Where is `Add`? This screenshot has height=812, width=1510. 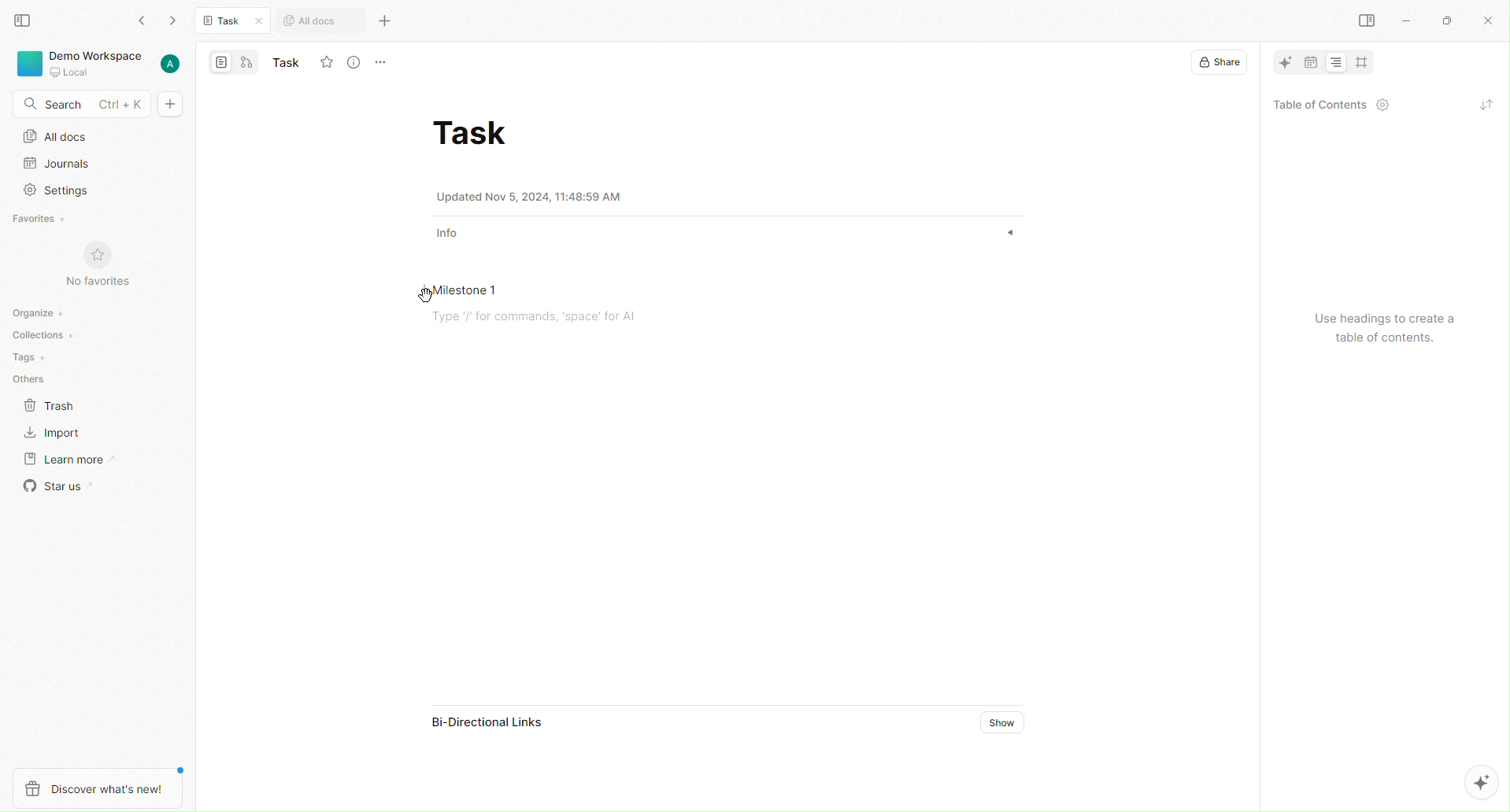
Add is located at coordinates (171, 105).